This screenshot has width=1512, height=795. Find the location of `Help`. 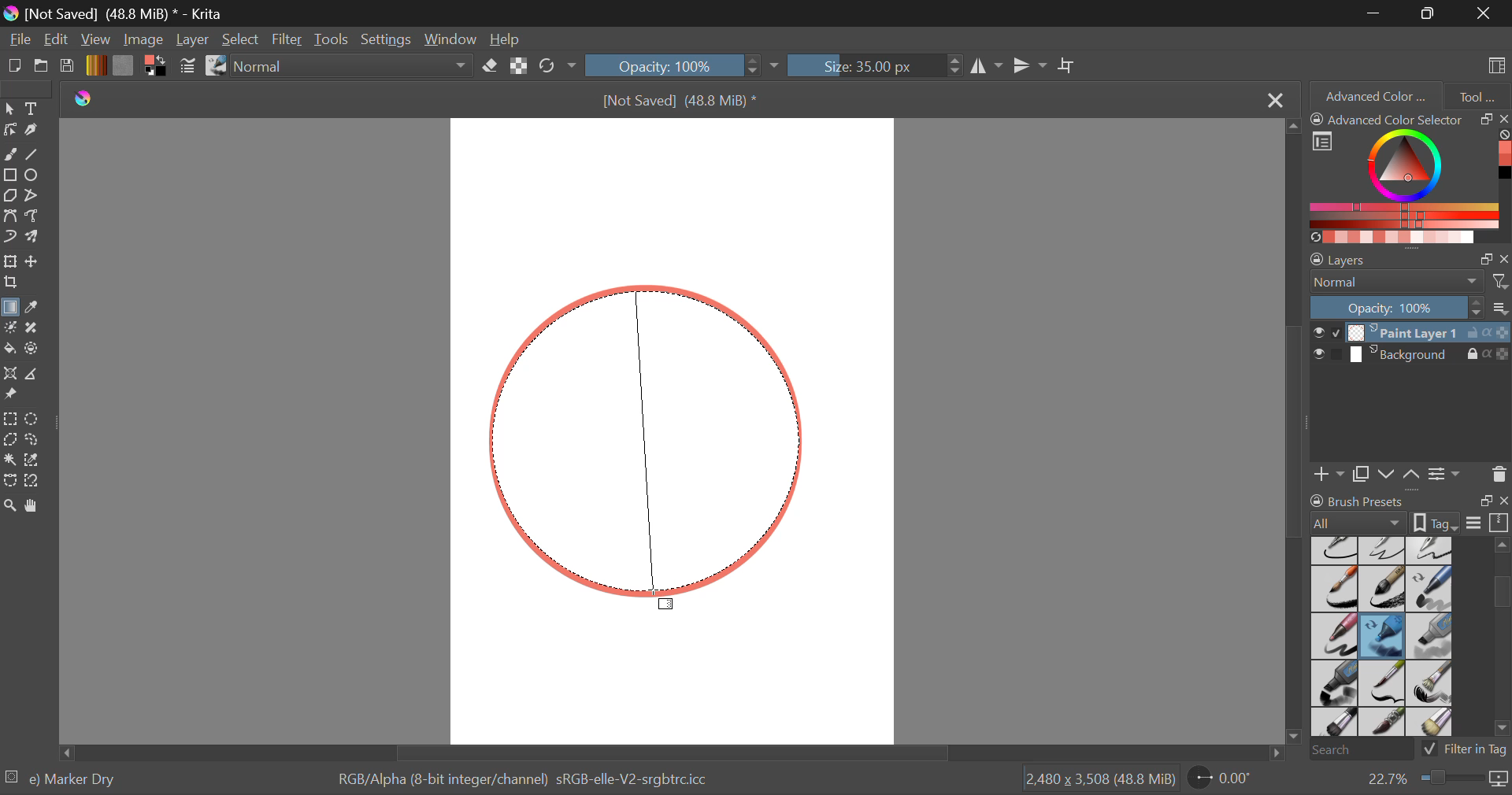

Help is located at coordinates (507, 41).